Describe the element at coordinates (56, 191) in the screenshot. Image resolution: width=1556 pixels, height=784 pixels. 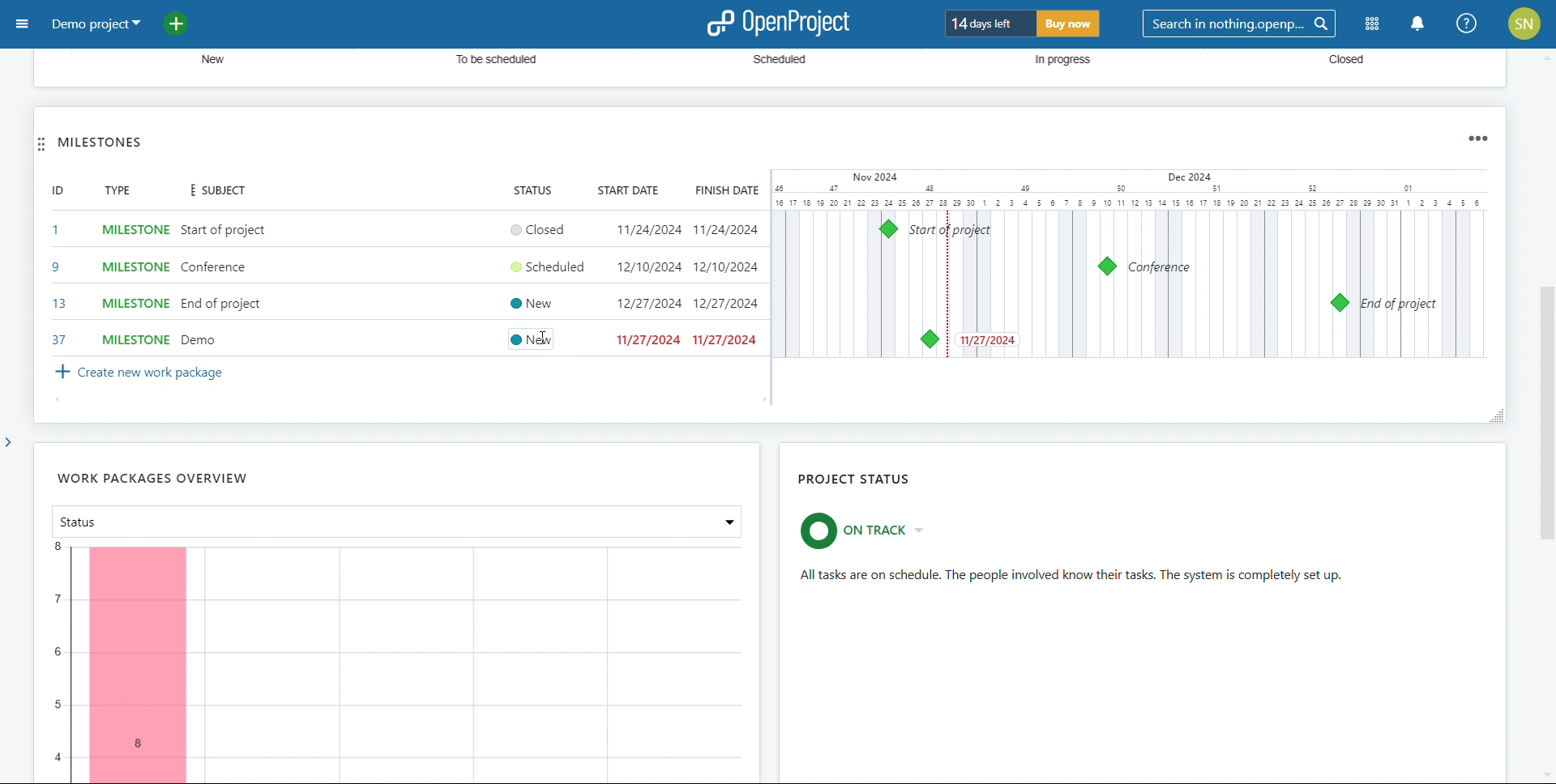
I see `id` at that location.